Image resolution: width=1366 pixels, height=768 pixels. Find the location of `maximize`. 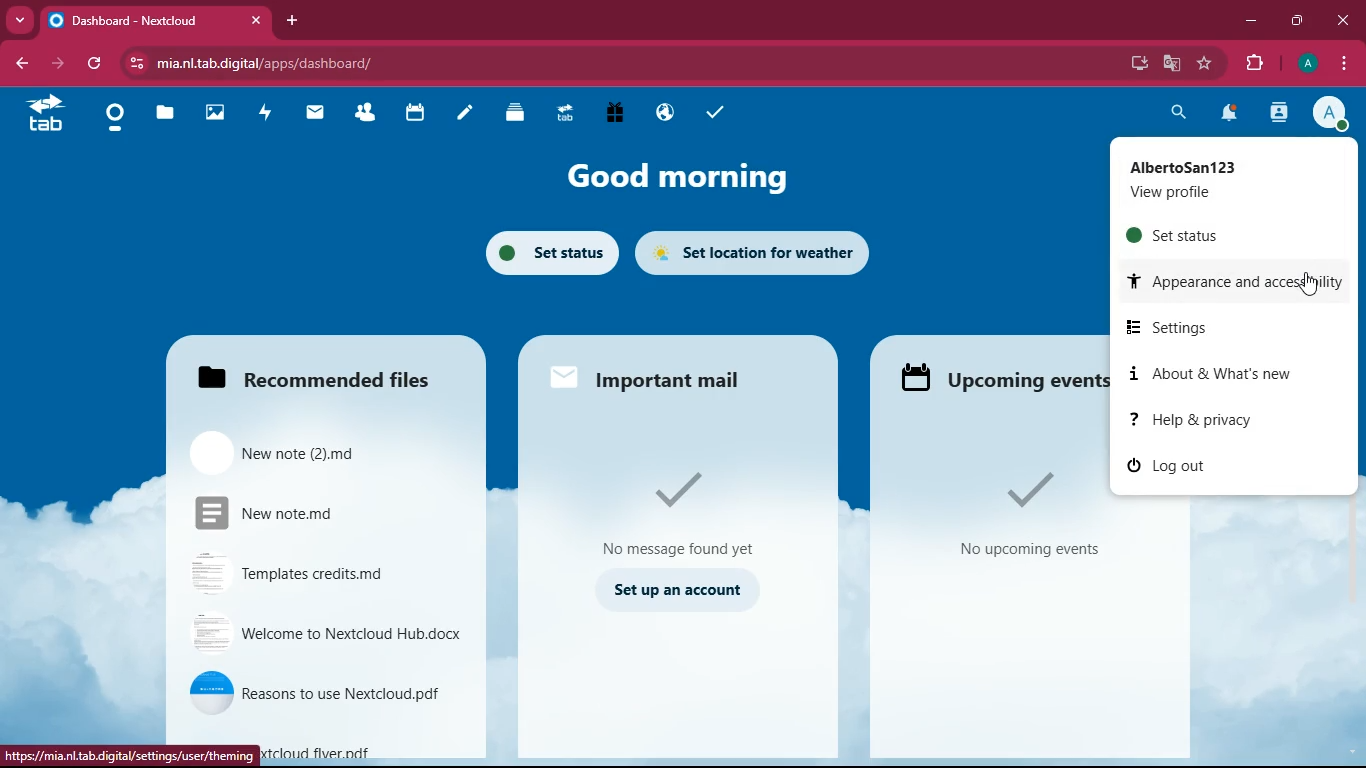

maximize is located at coordinates (1295, 21).